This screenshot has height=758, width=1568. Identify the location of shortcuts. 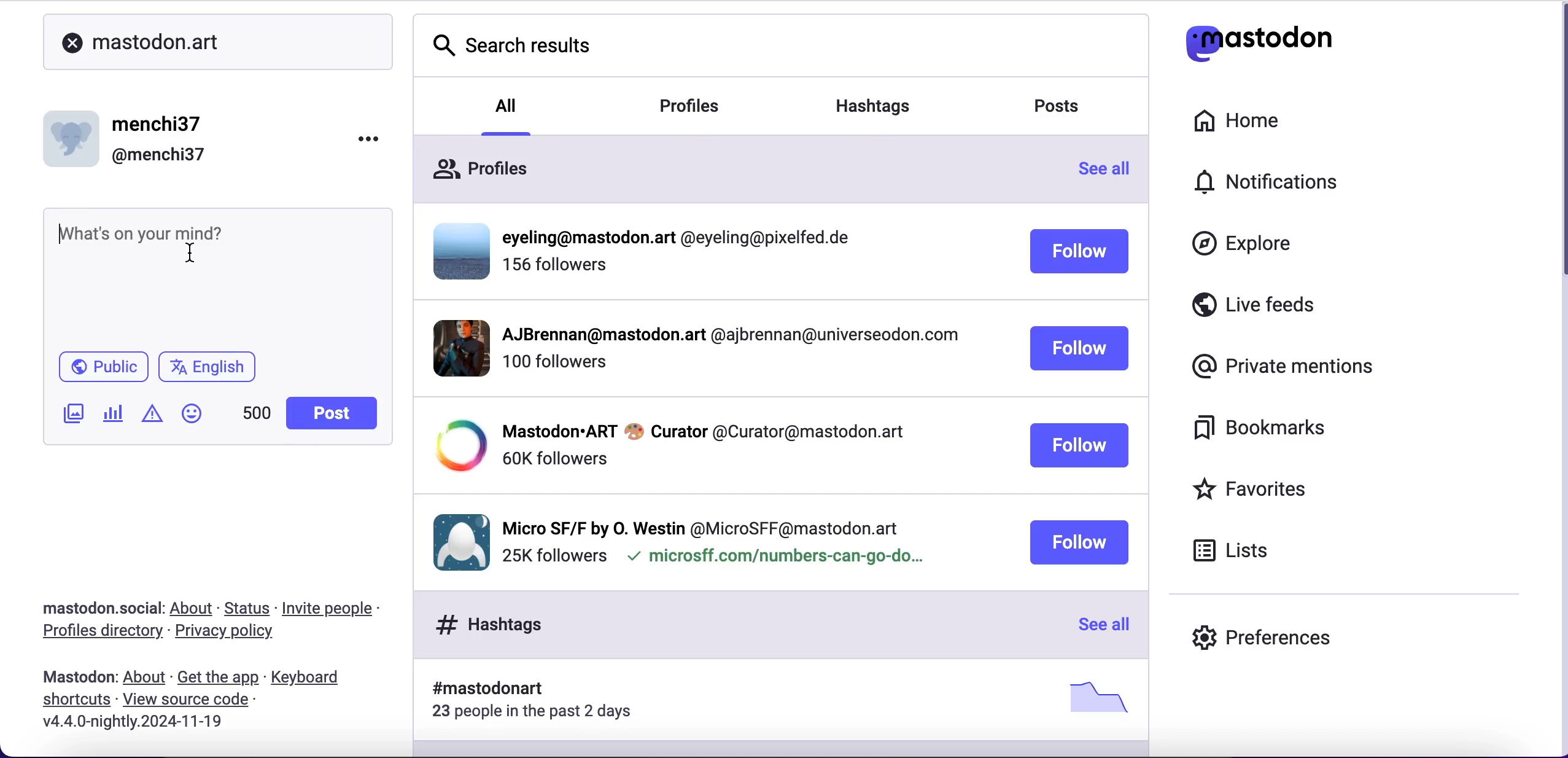
(73, 702).